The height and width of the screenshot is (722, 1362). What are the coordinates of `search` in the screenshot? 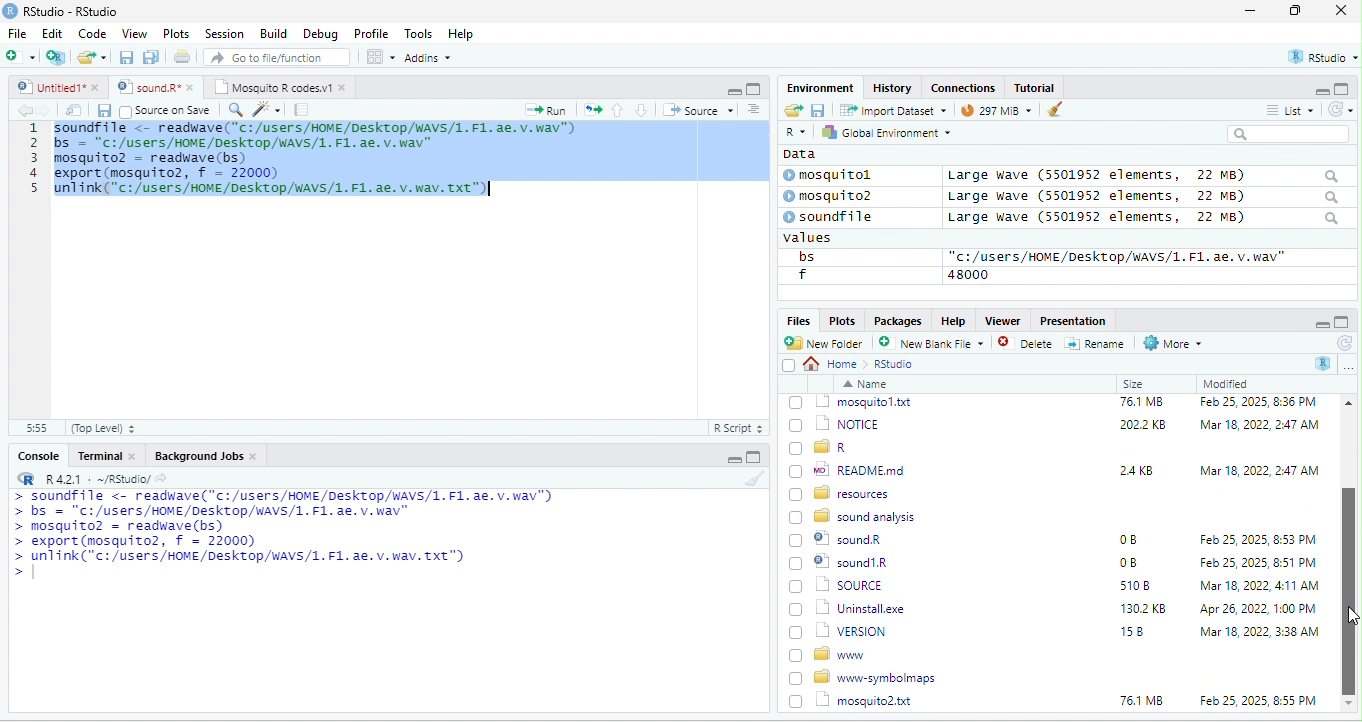 It's located at (235, 108).